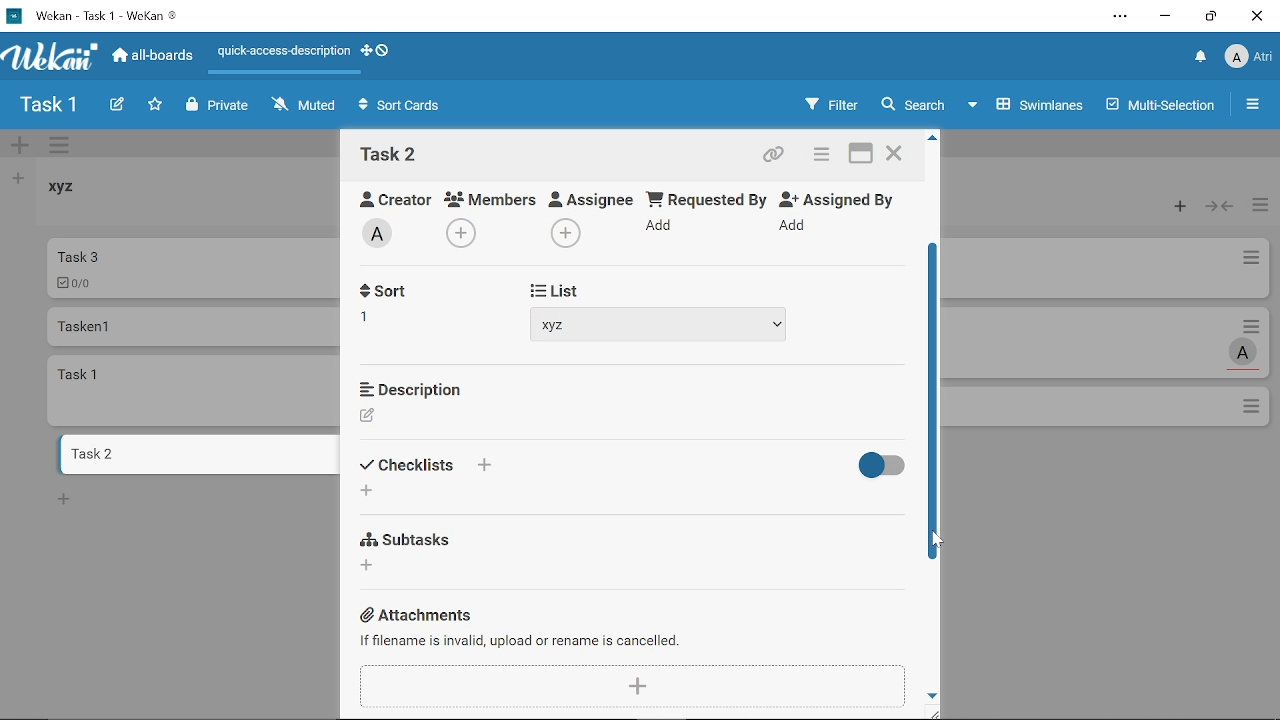  I want to click on Card actions, so click(1250, 261).